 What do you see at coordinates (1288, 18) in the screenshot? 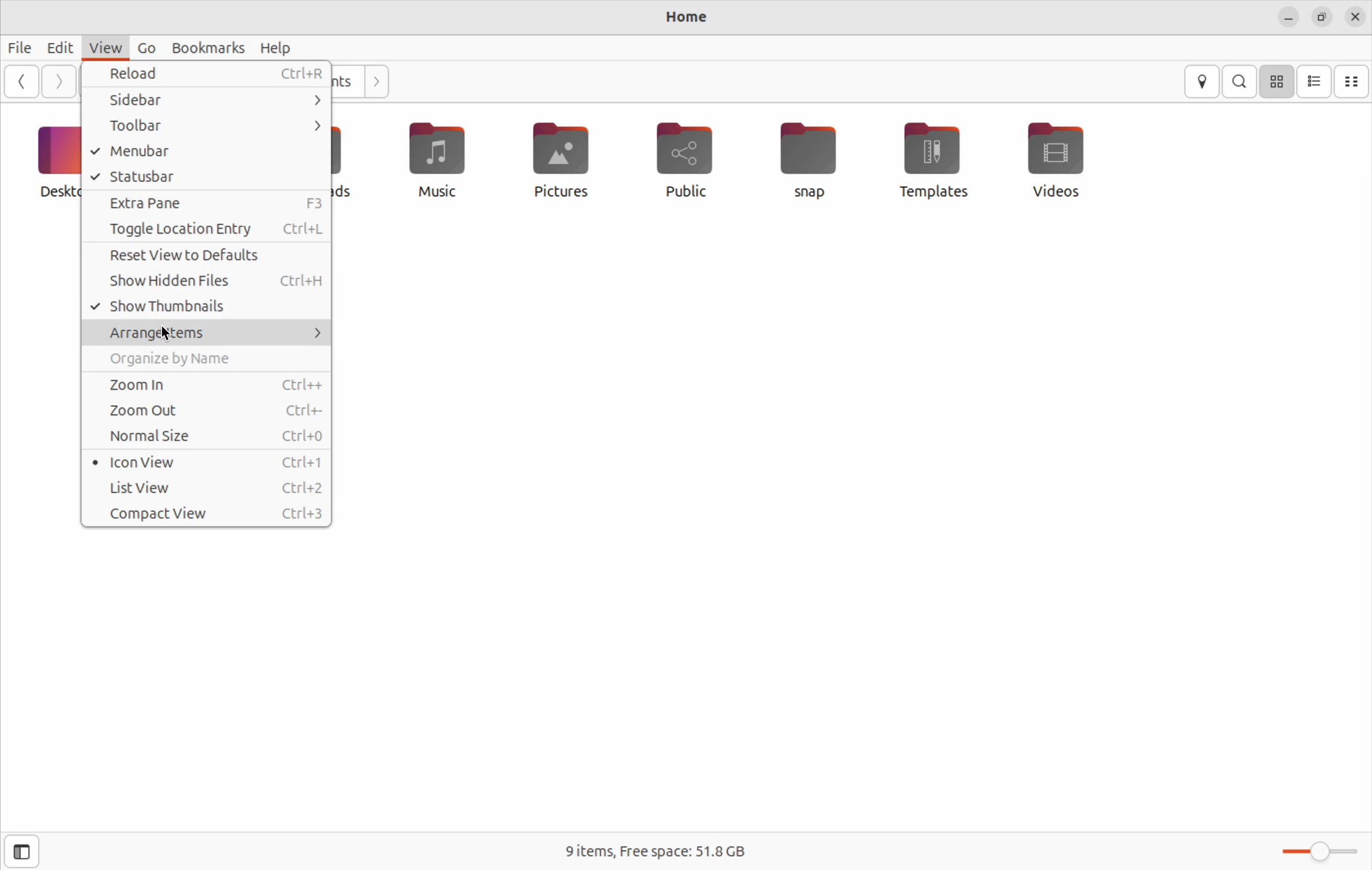
I see `minimize` at bounding box center [1288, 18].